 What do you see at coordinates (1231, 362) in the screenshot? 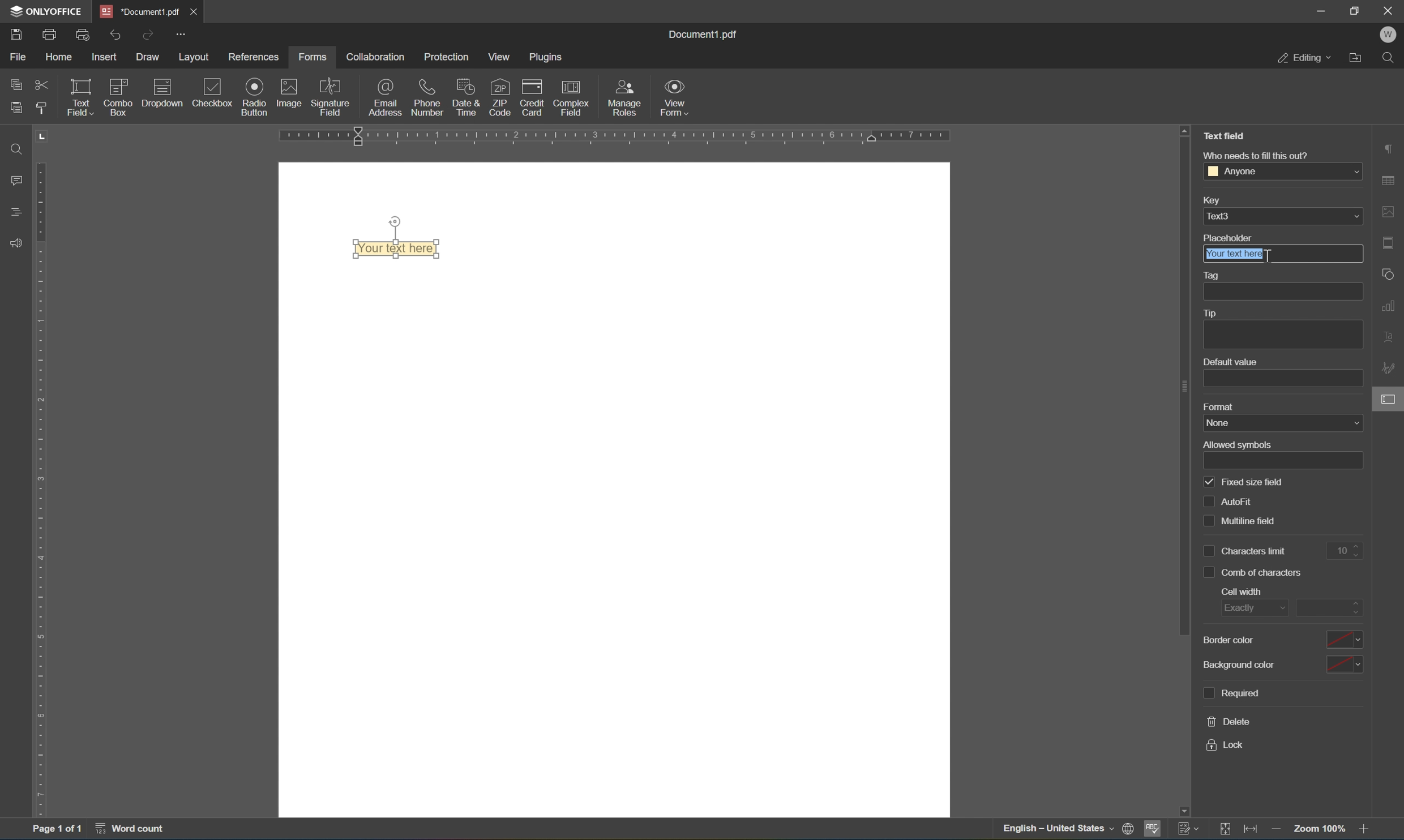
I see `default value` at bounding box center [1231, 362].